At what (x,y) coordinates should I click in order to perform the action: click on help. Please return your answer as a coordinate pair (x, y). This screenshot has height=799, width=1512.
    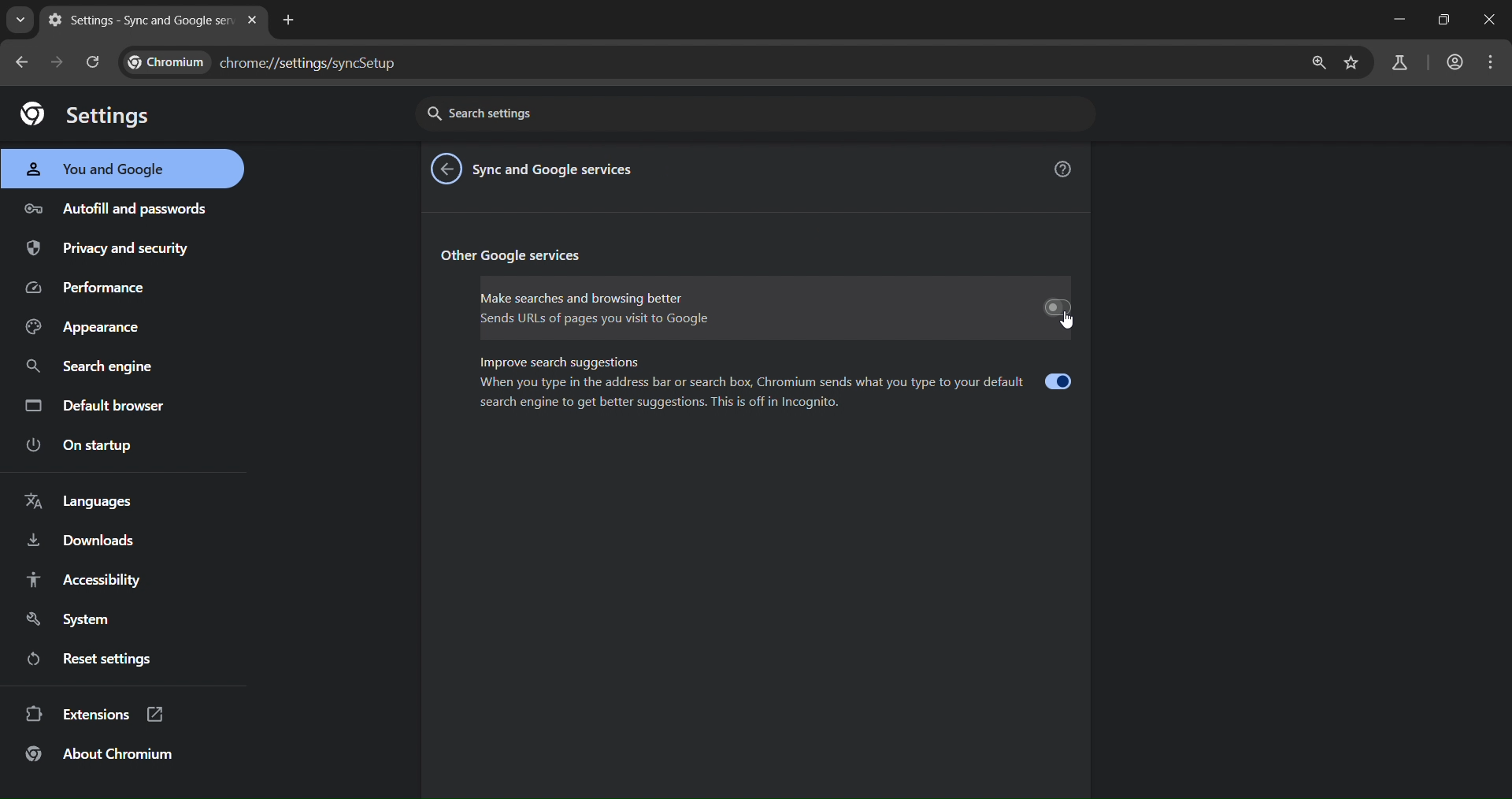
    Looking at the image, I should click on (1065, 169).